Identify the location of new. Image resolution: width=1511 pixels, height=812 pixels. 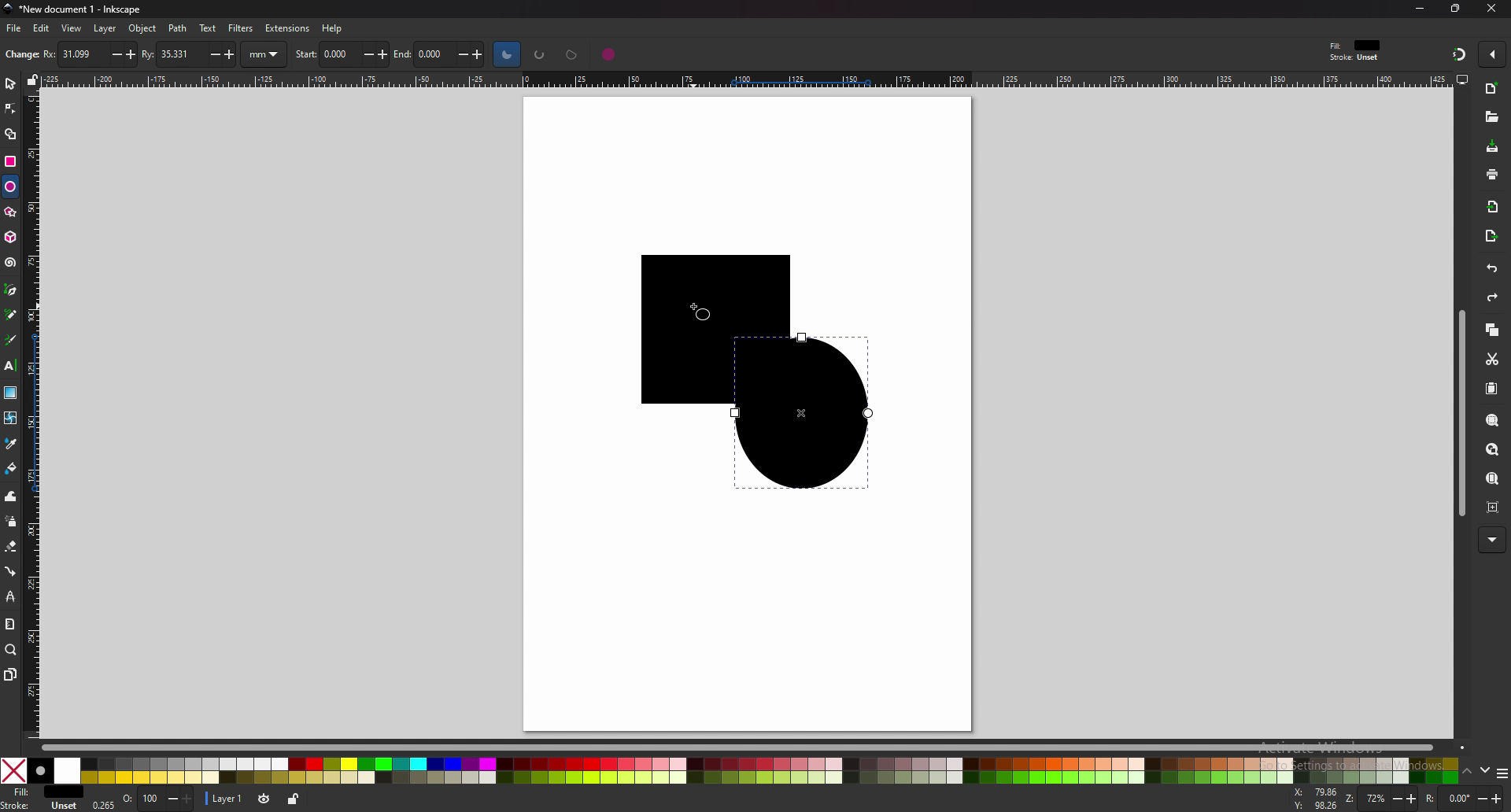
(1491, 88).